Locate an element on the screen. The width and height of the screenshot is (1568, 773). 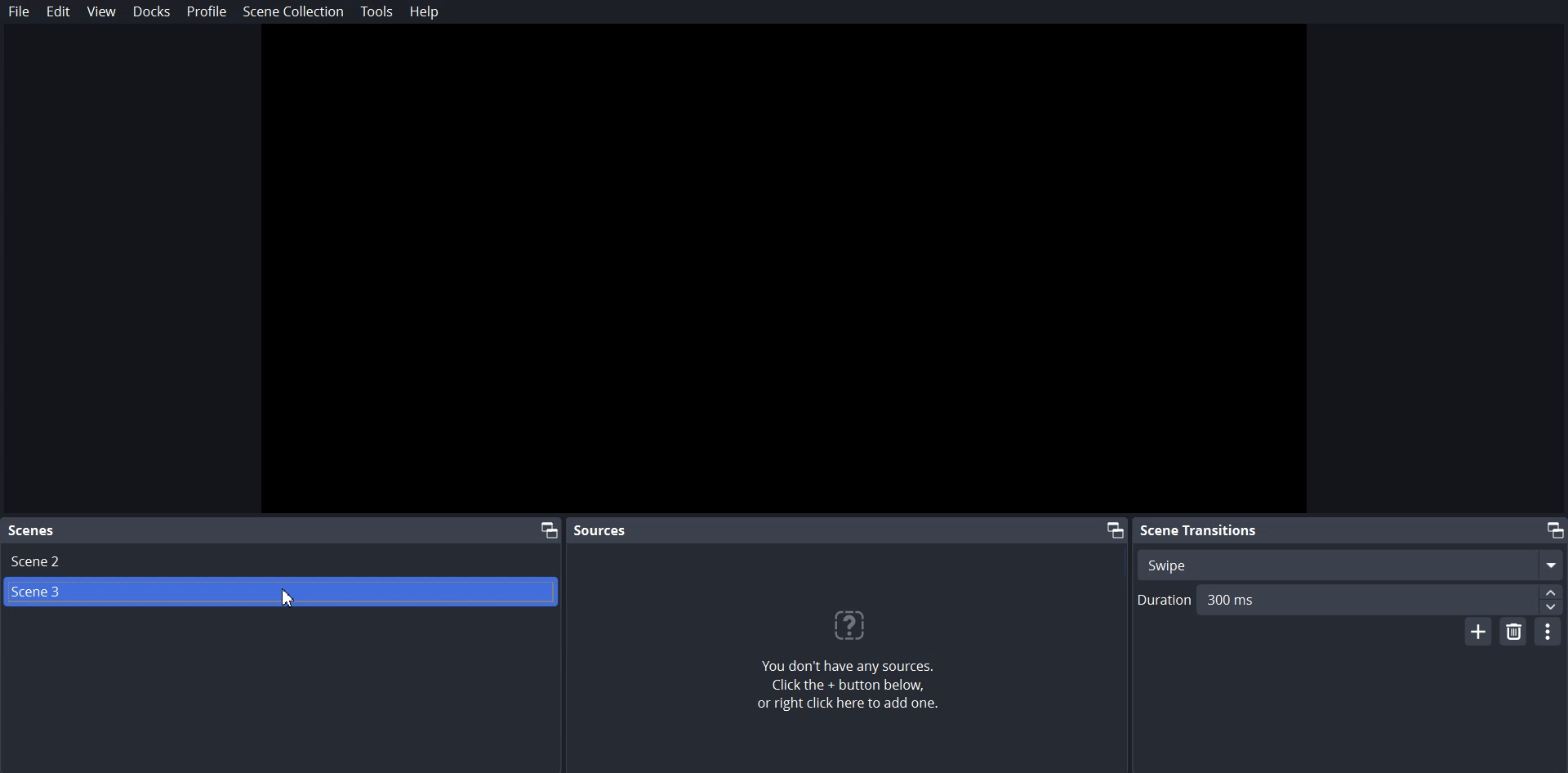
Tools is located at coordinates (376, 11).